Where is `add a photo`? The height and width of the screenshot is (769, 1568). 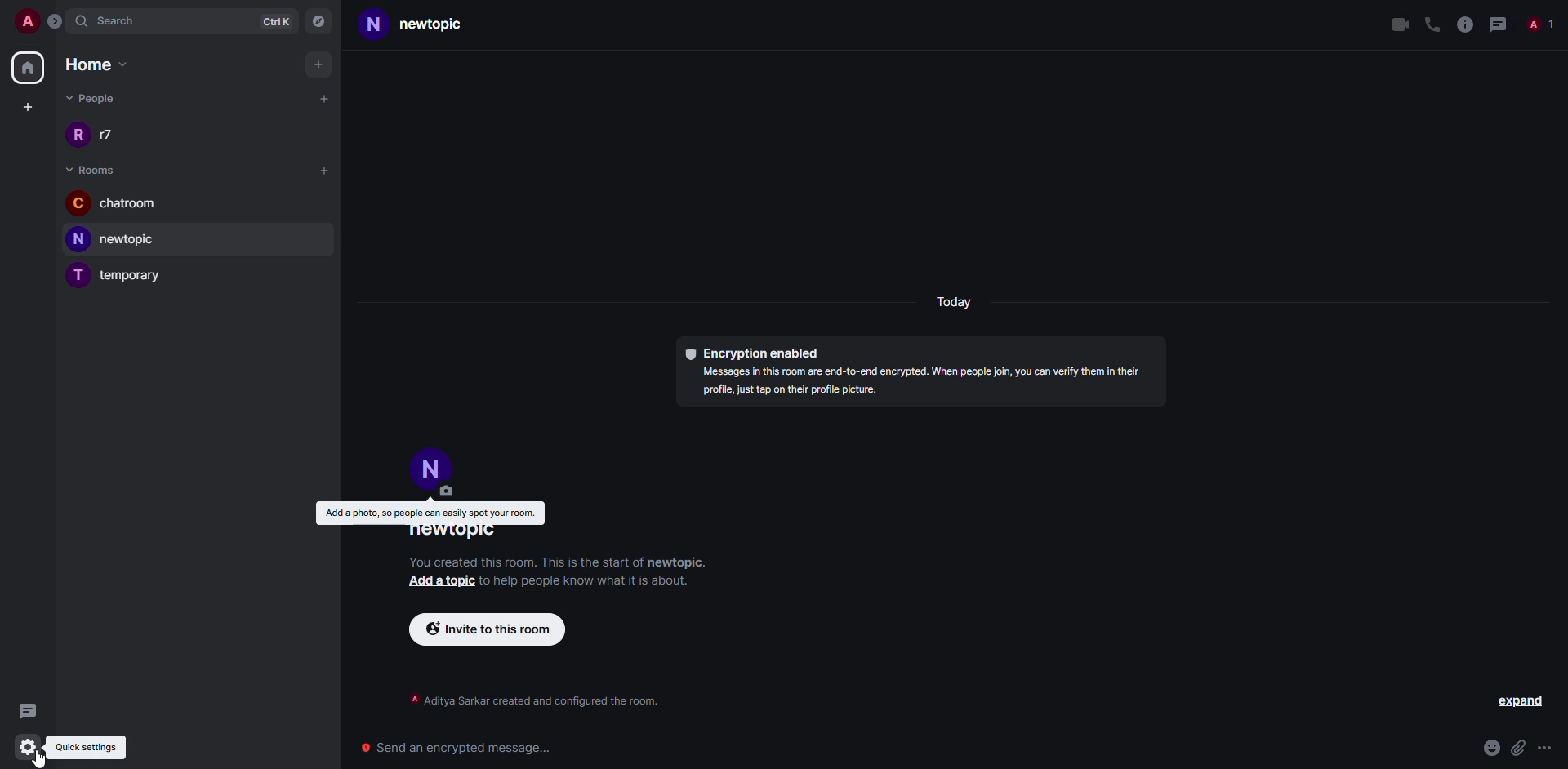 add a photo is located at coordinates (424, 512).